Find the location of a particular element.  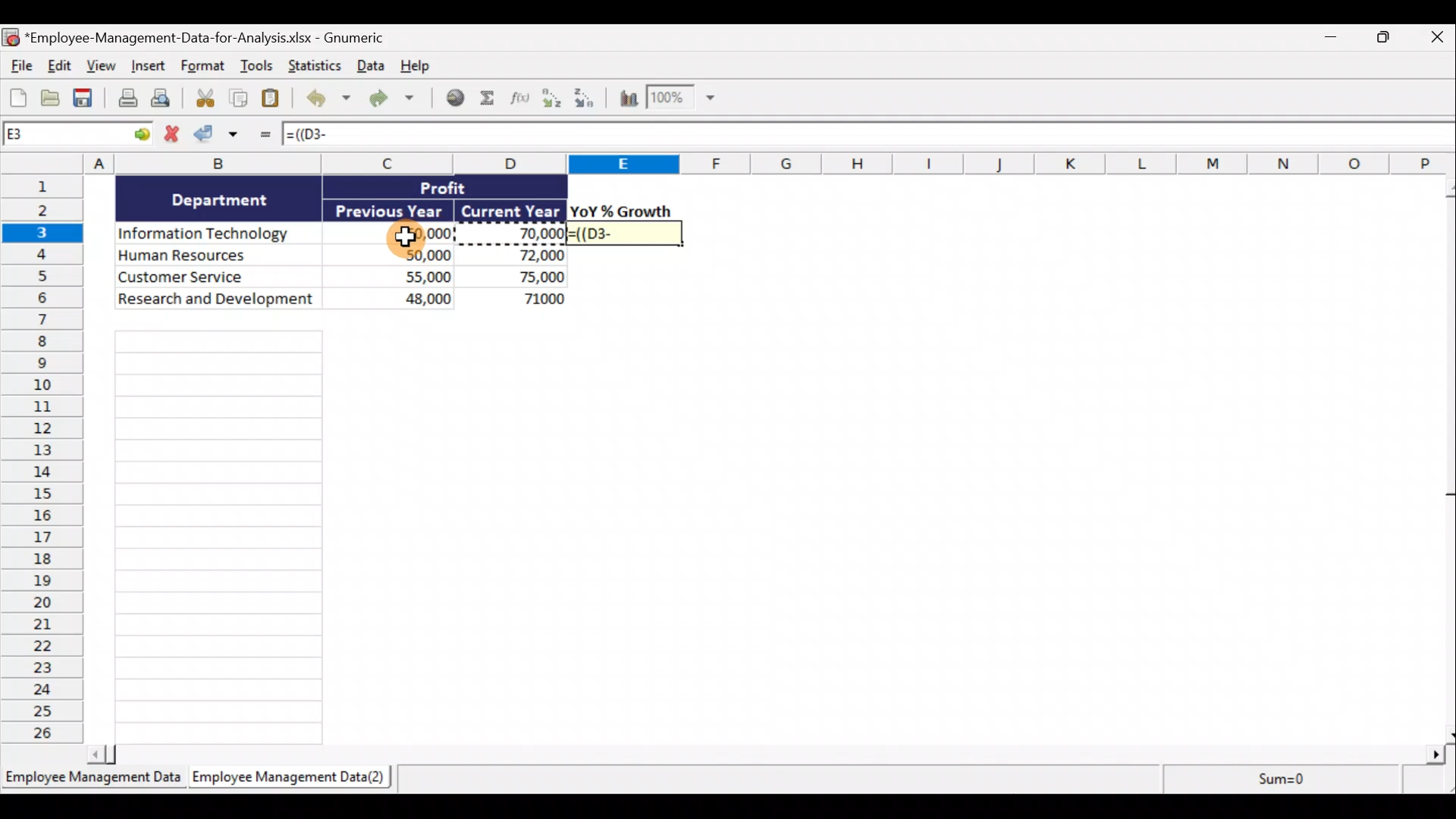

Scroll bar is located at coordinates (1447, 460).